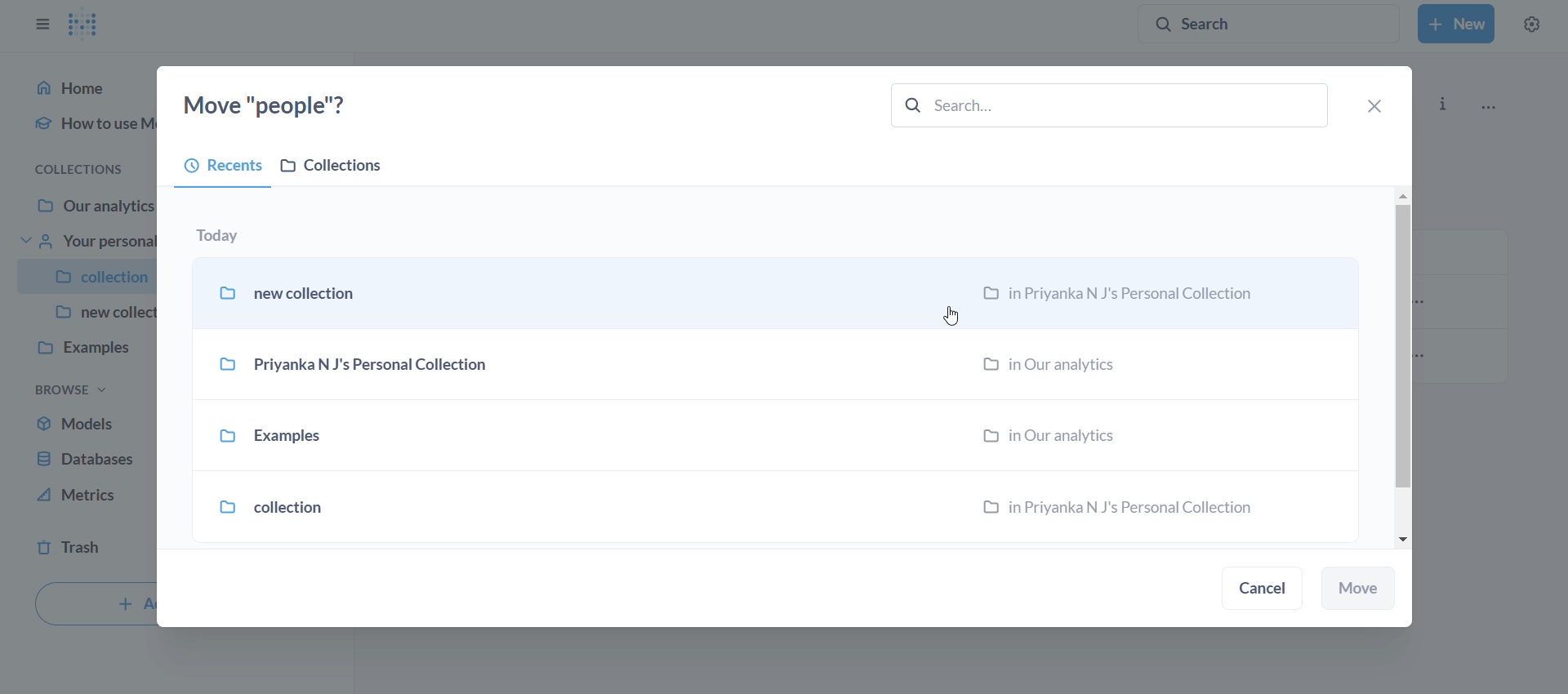 This screenshot has width=1568, height=694. Describe the element at coordinates (777, 363) in the screenshot. I see `Priyanka N J's Personal Collection` at that location.